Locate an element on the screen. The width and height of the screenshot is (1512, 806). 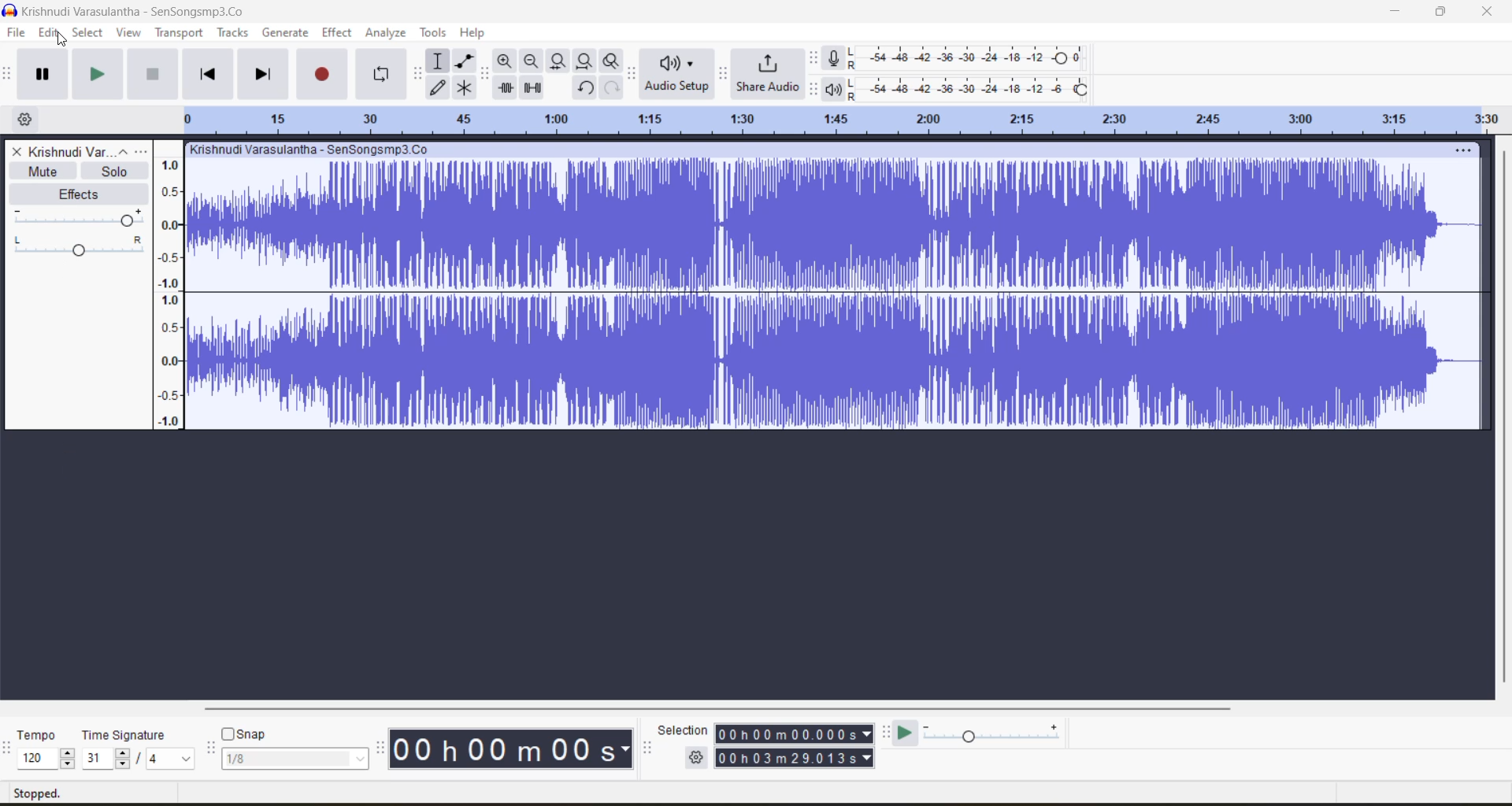
stop is located at coordinates (154, 76).